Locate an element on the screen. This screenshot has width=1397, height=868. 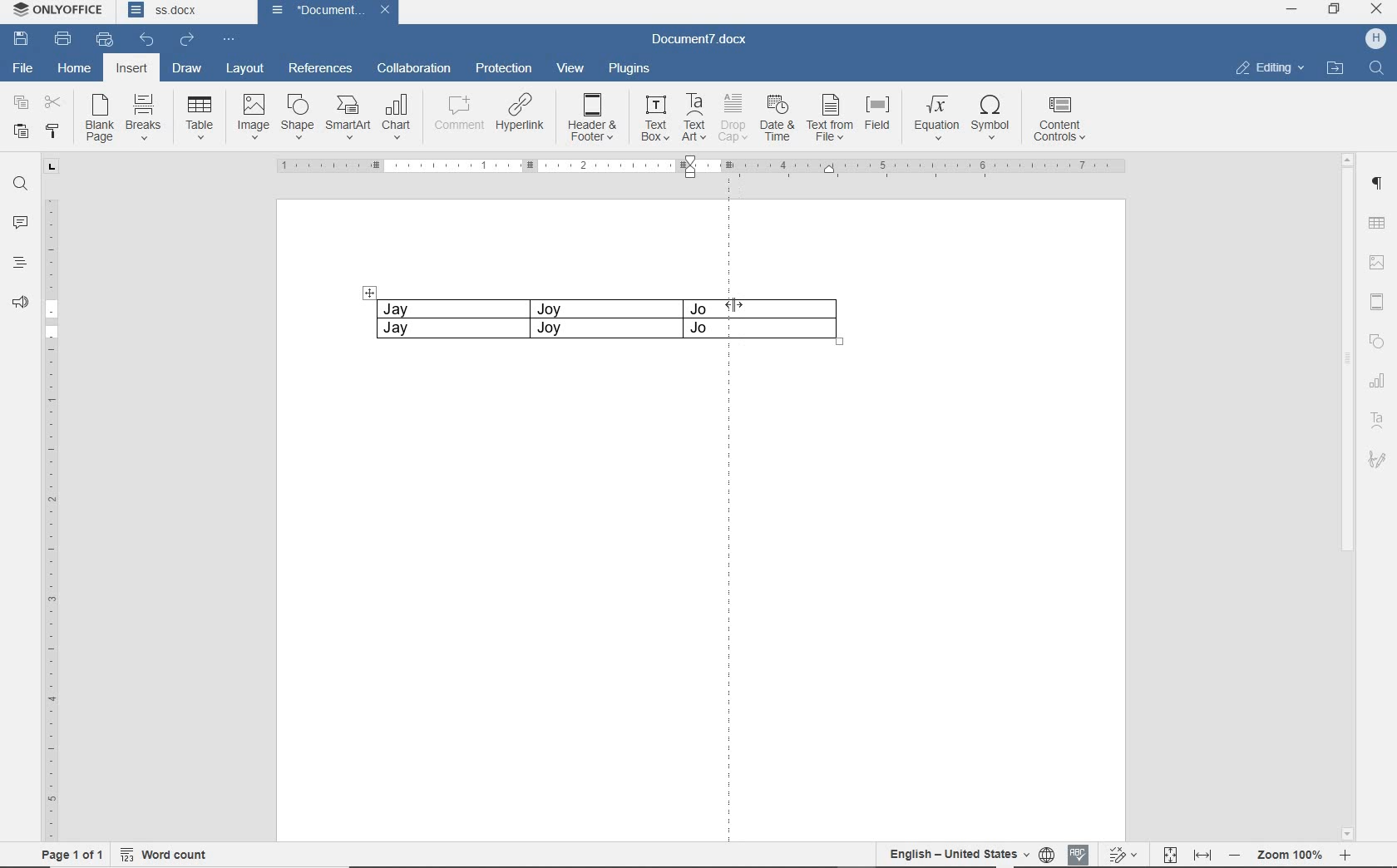
document is located at coordinates (310, 11).